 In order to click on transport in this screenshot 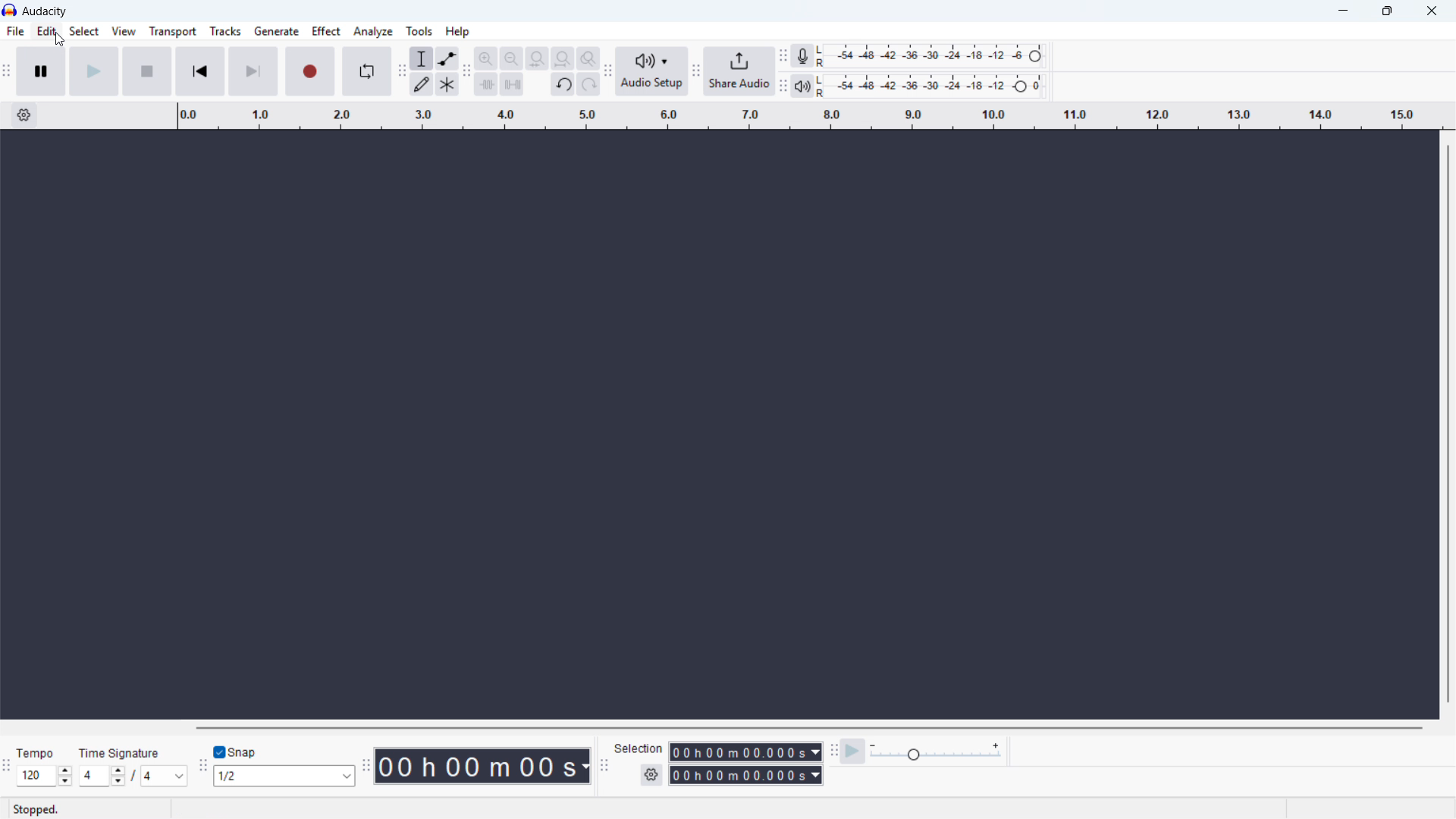, I will do `click(173, 31)`.